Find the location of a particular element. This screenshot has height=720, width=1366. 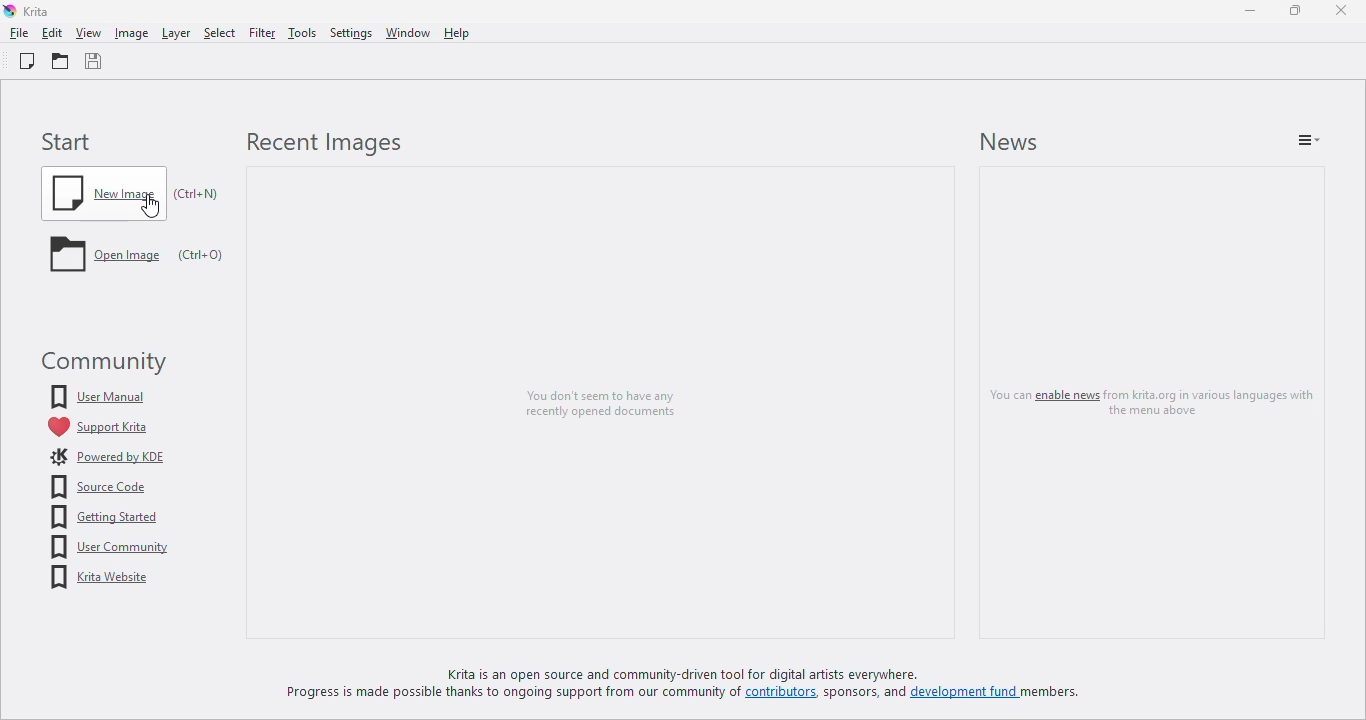

file is located at coordinates (19, 33).